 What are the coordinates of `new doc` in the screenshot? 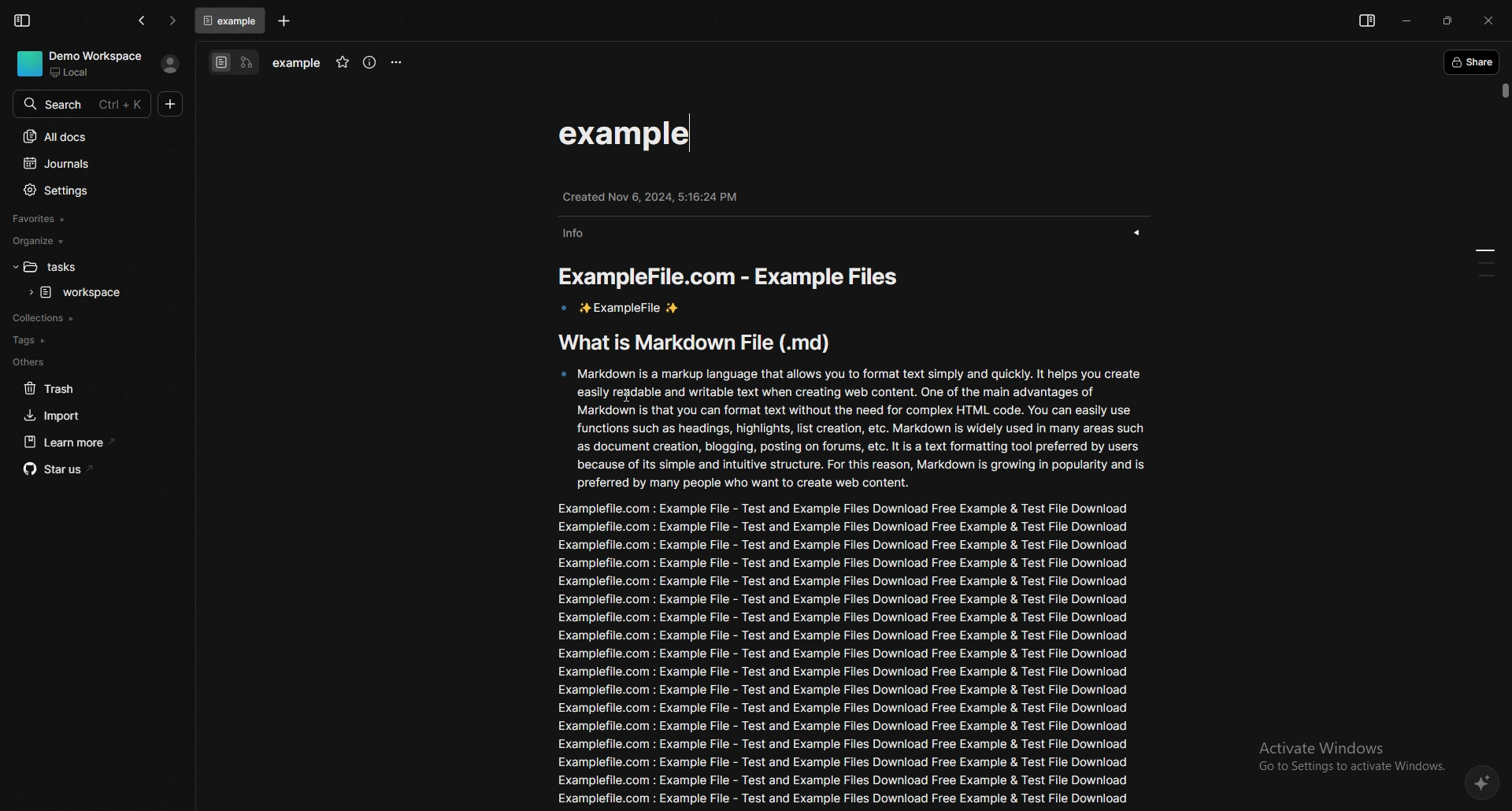 It's located at (171, 104).